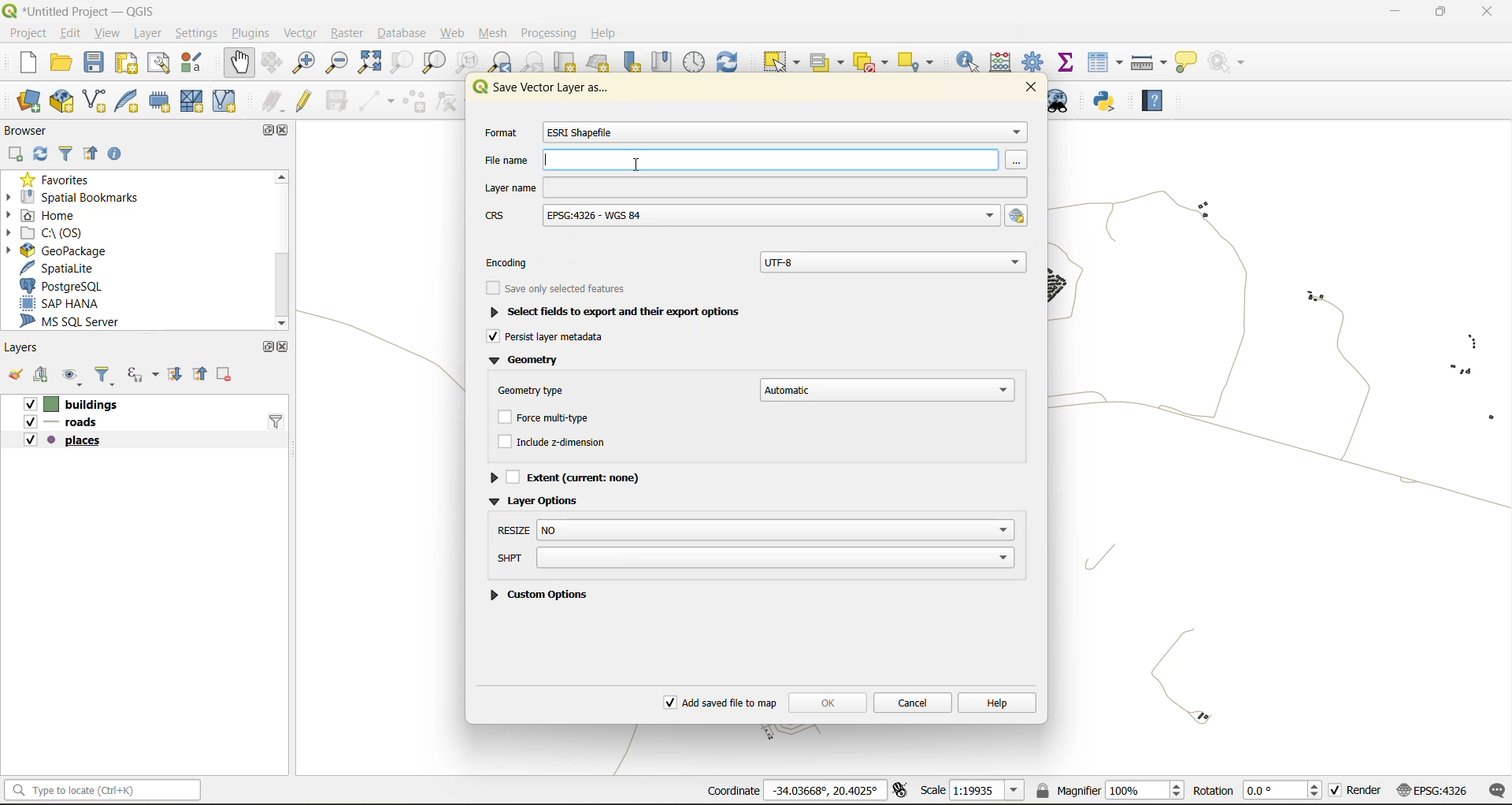  I want to click on zoom layer, so click(434, 62).